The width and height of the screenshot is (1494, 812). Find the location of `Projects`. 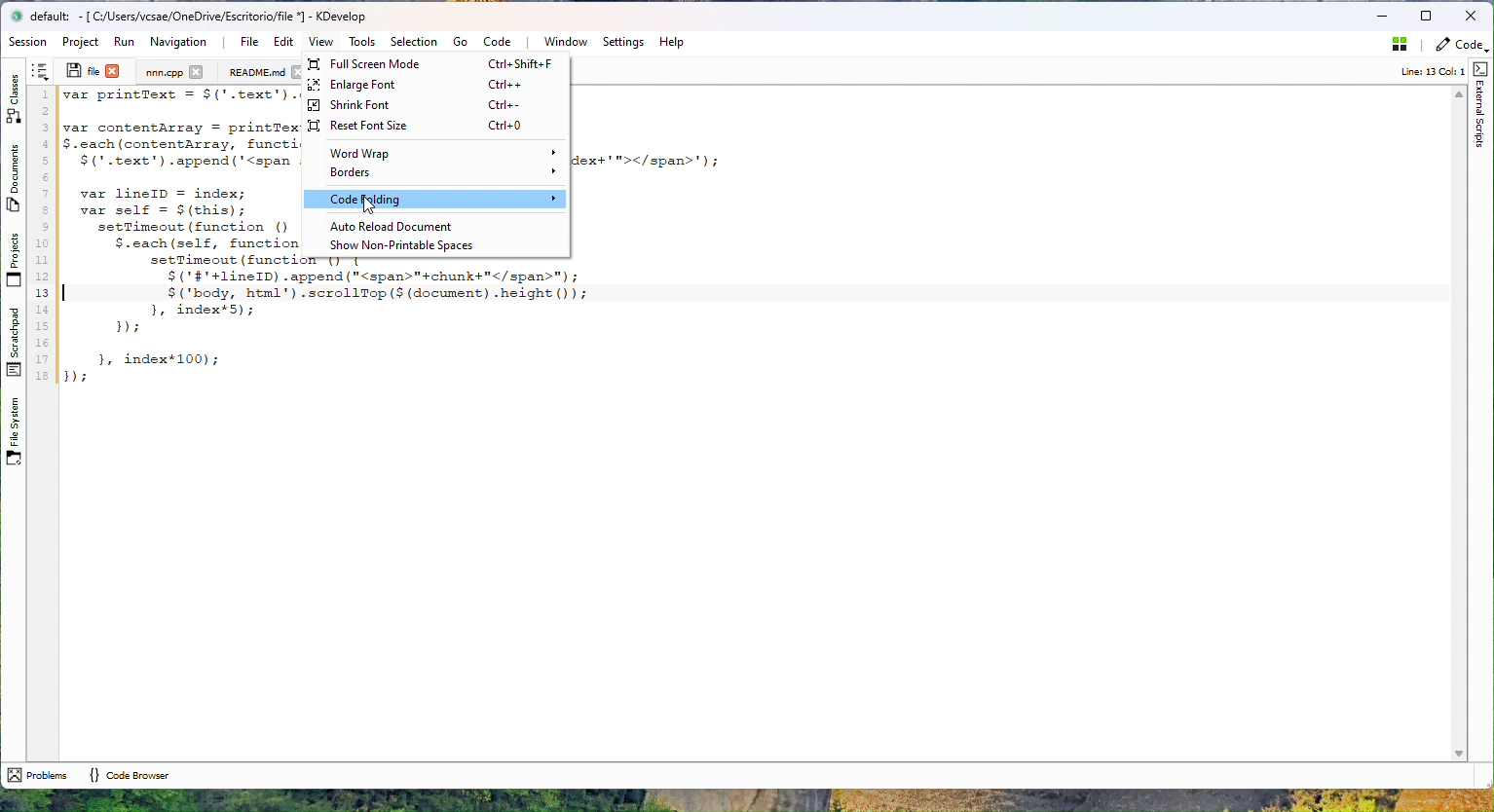

Projects is located at coordinates (13, 259).